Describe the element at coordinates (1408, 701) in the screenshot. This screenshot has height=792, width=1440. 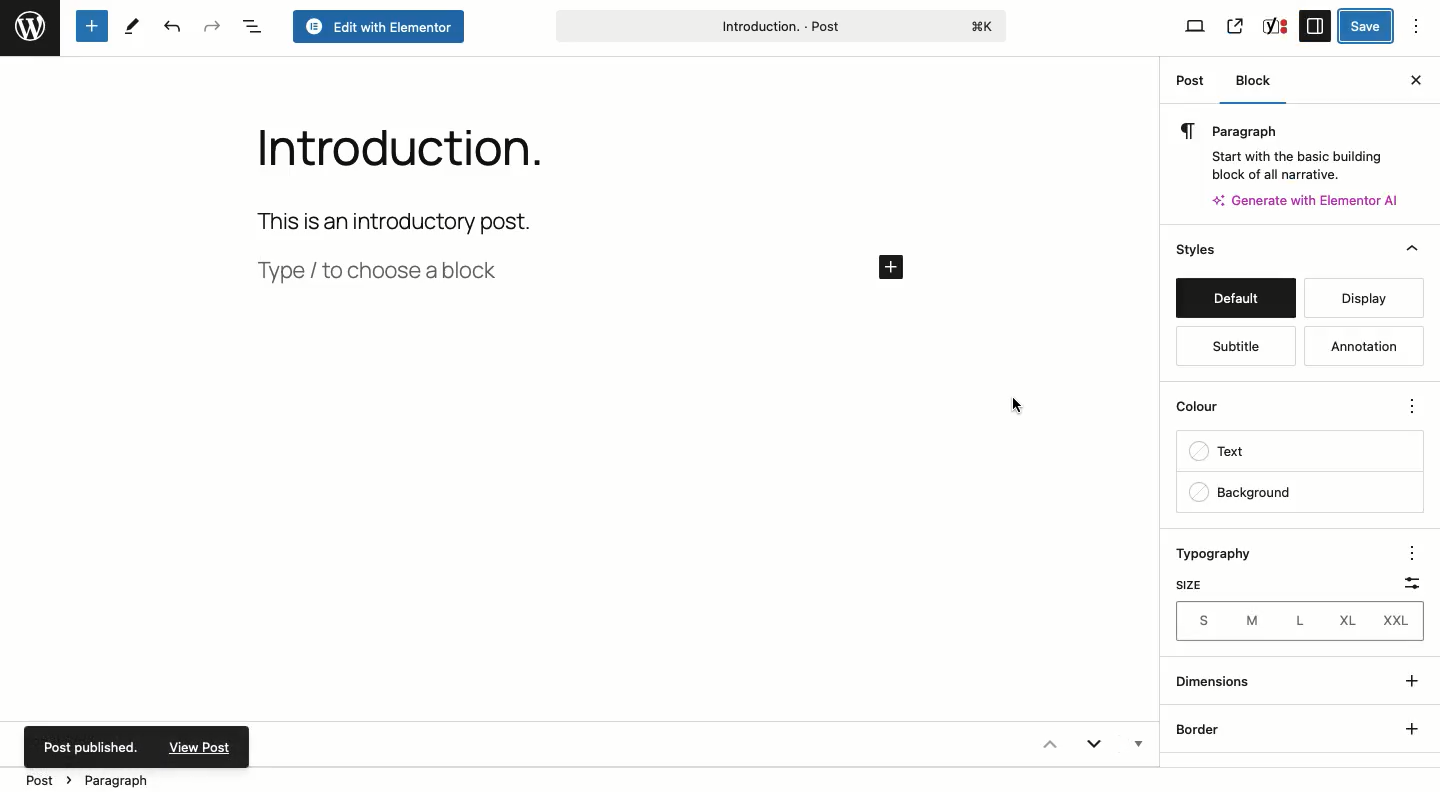
I see `Show` at that location.